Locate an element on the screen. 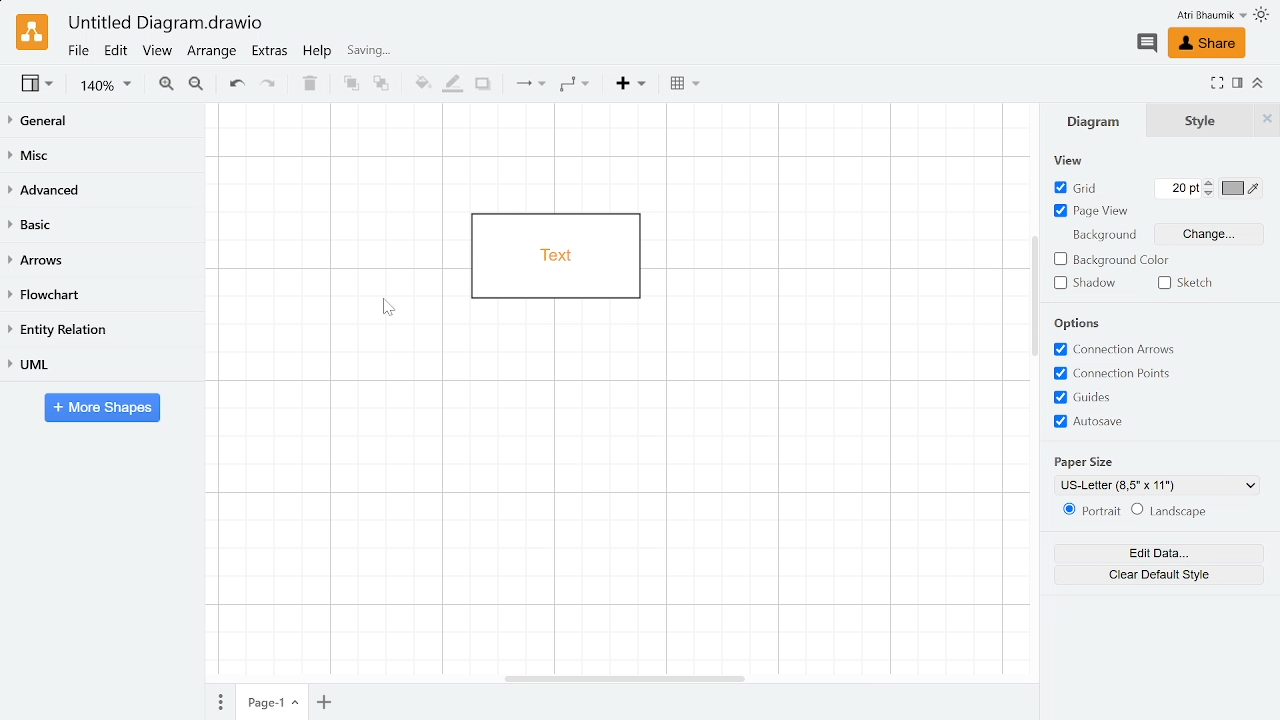 This screenshot has height=720, width=1280. Format is located at coordinates (1237, 85).